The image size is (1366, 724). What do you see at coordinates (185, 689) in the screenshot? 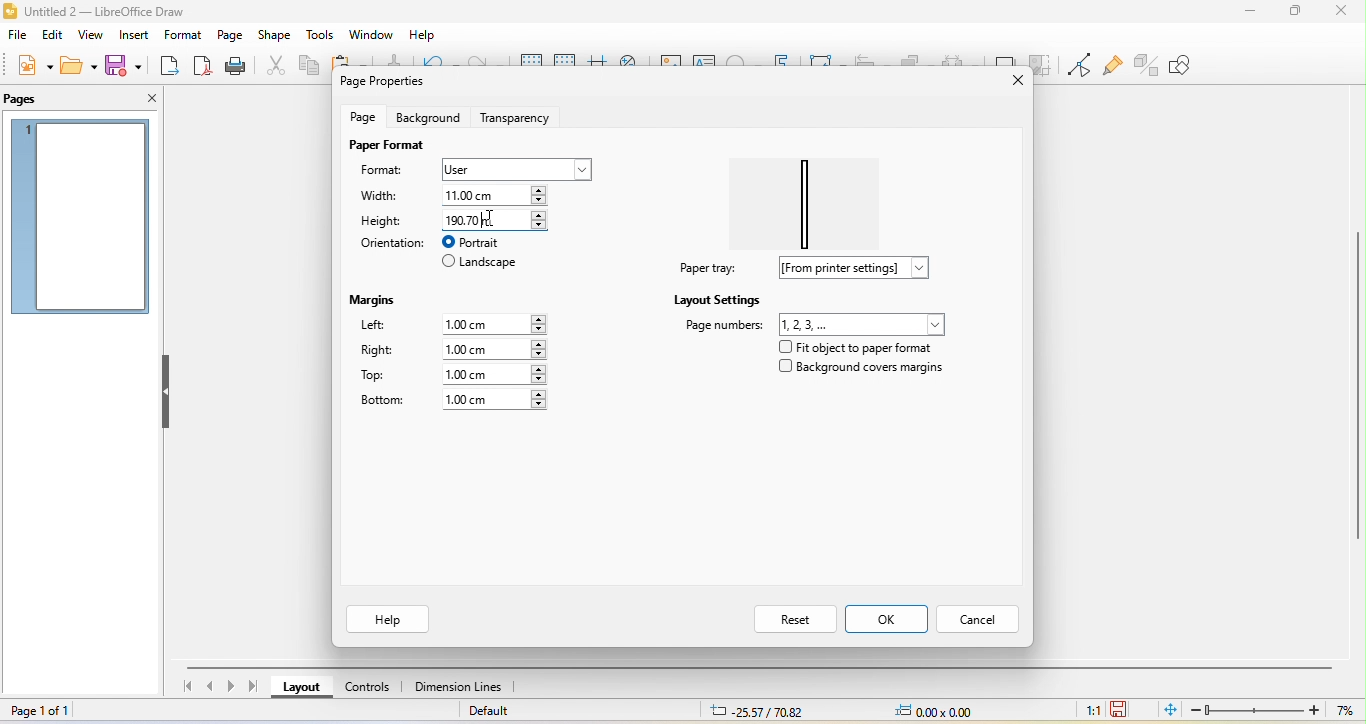
I see `first page` at bounding box center [185, 689].